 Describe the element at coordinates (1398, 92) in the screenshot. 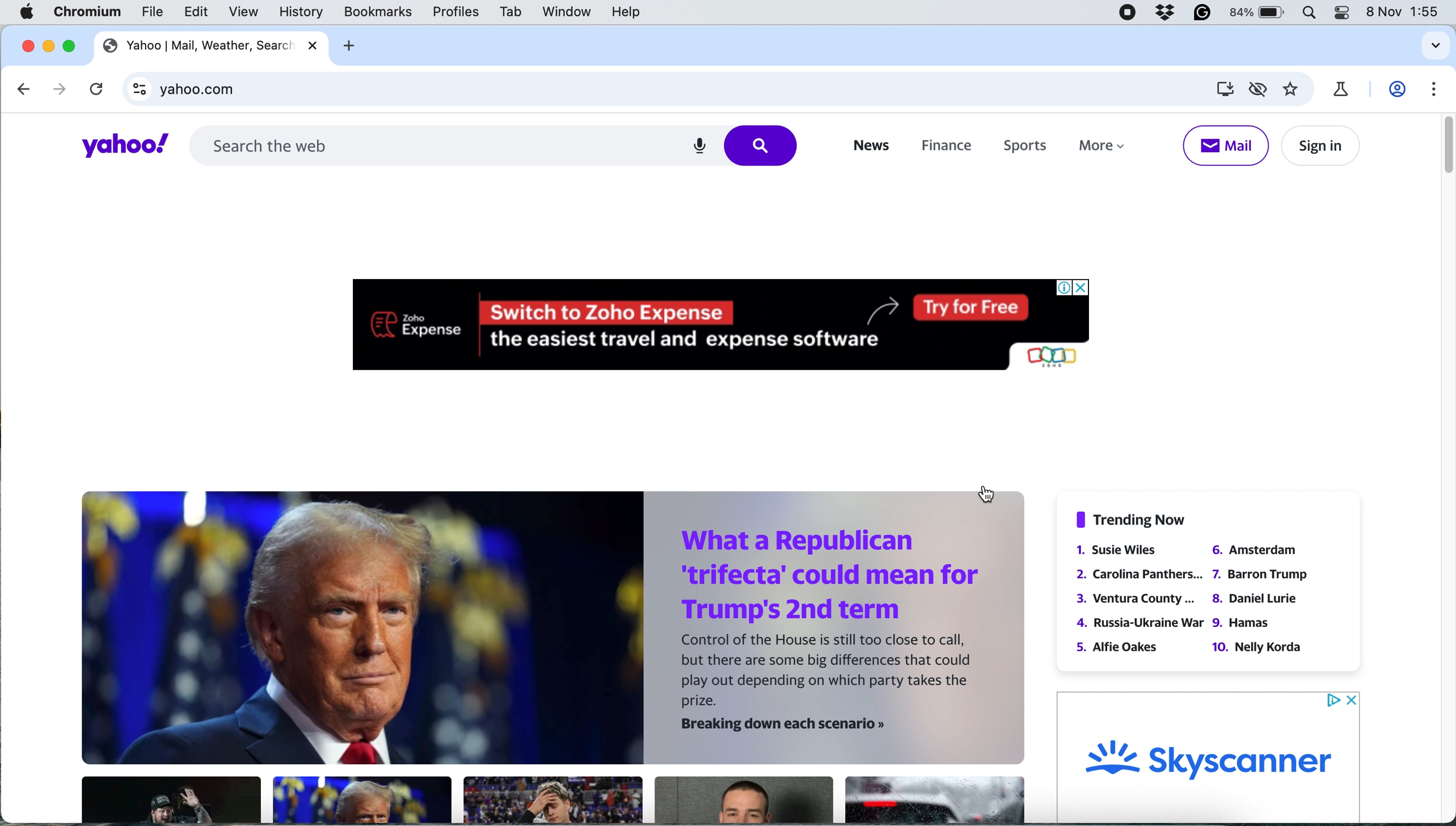

I see `profile` at that location.